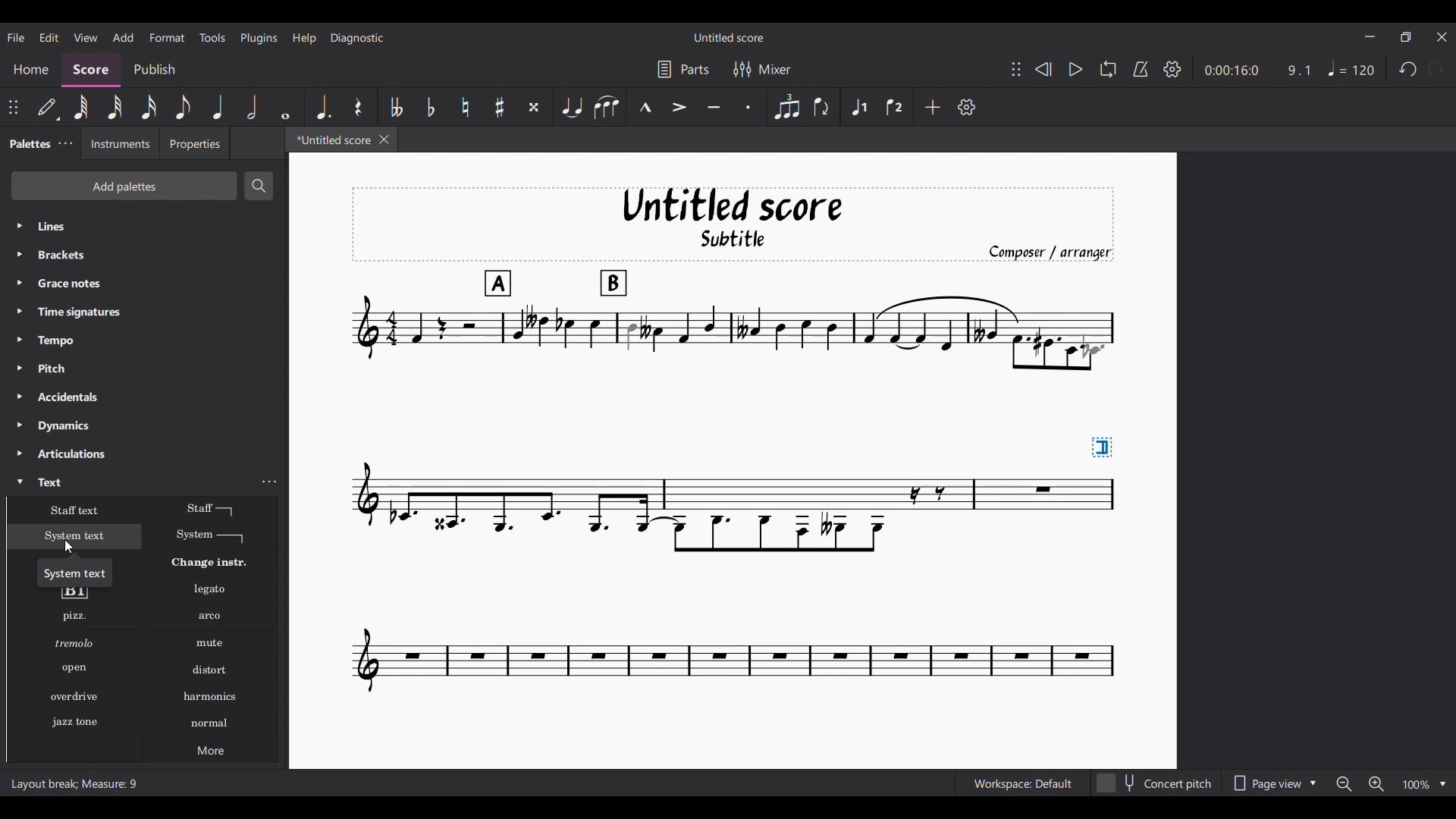 The width and height of the screenshot is (1456, 819). I want to click on Voice 2, so click(895, 107).